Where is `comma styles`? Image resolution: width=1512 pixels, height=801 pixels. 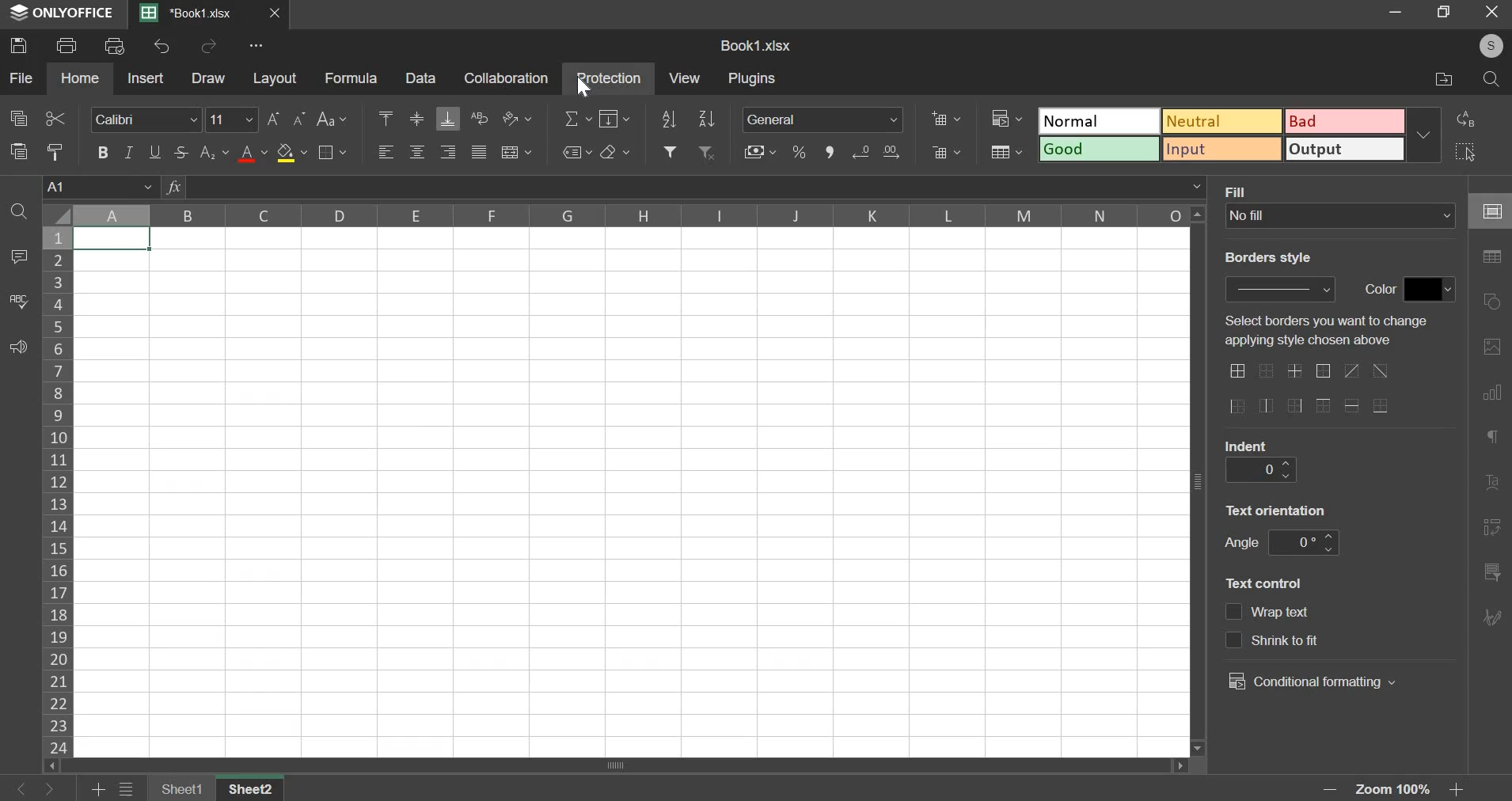 comma styles is located at coordinates (830, 150).